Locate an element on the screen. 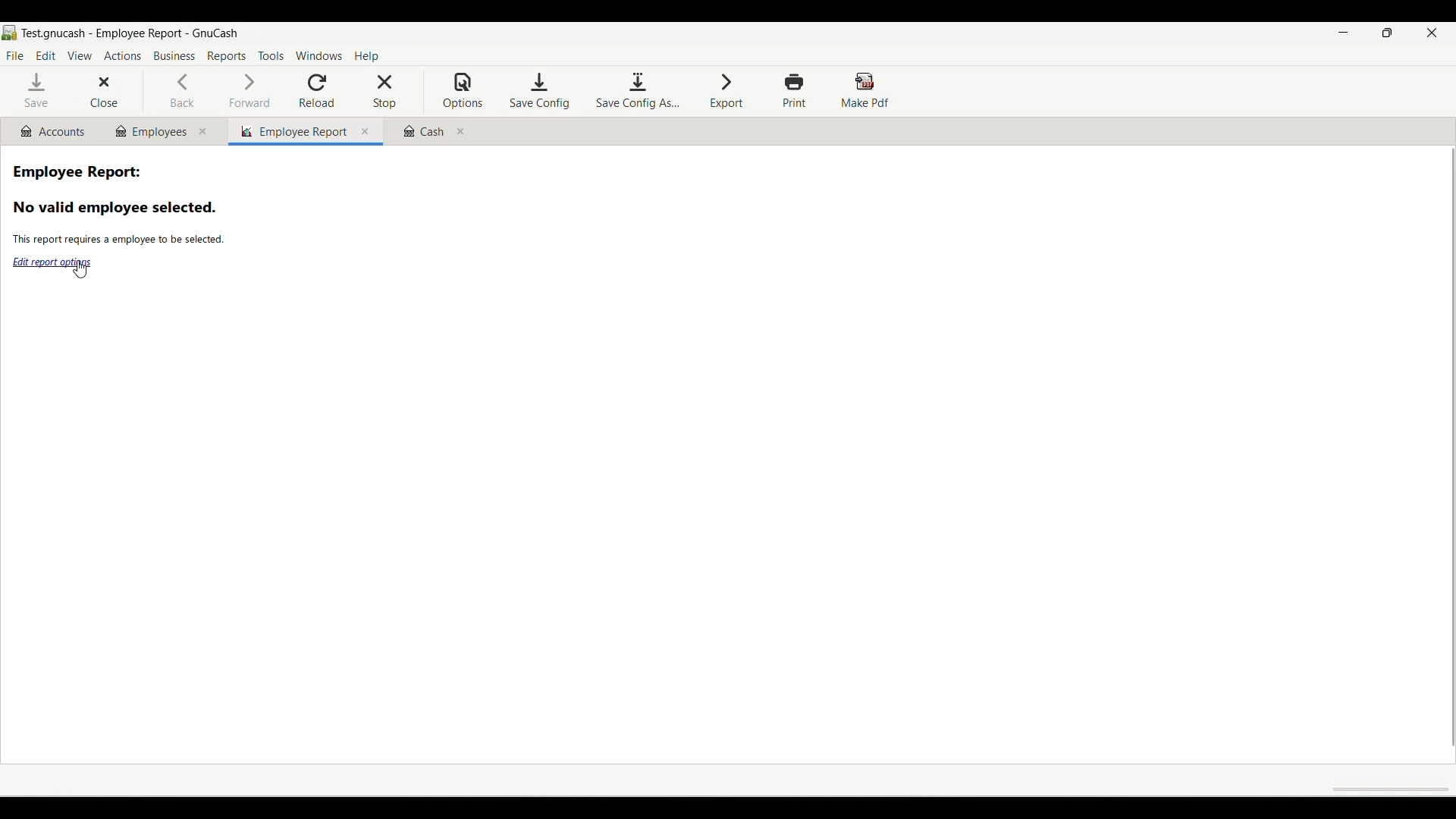 The width and height of the screenshot is (1456, 819). Close Cash tab is located at coordinates (460, 131).